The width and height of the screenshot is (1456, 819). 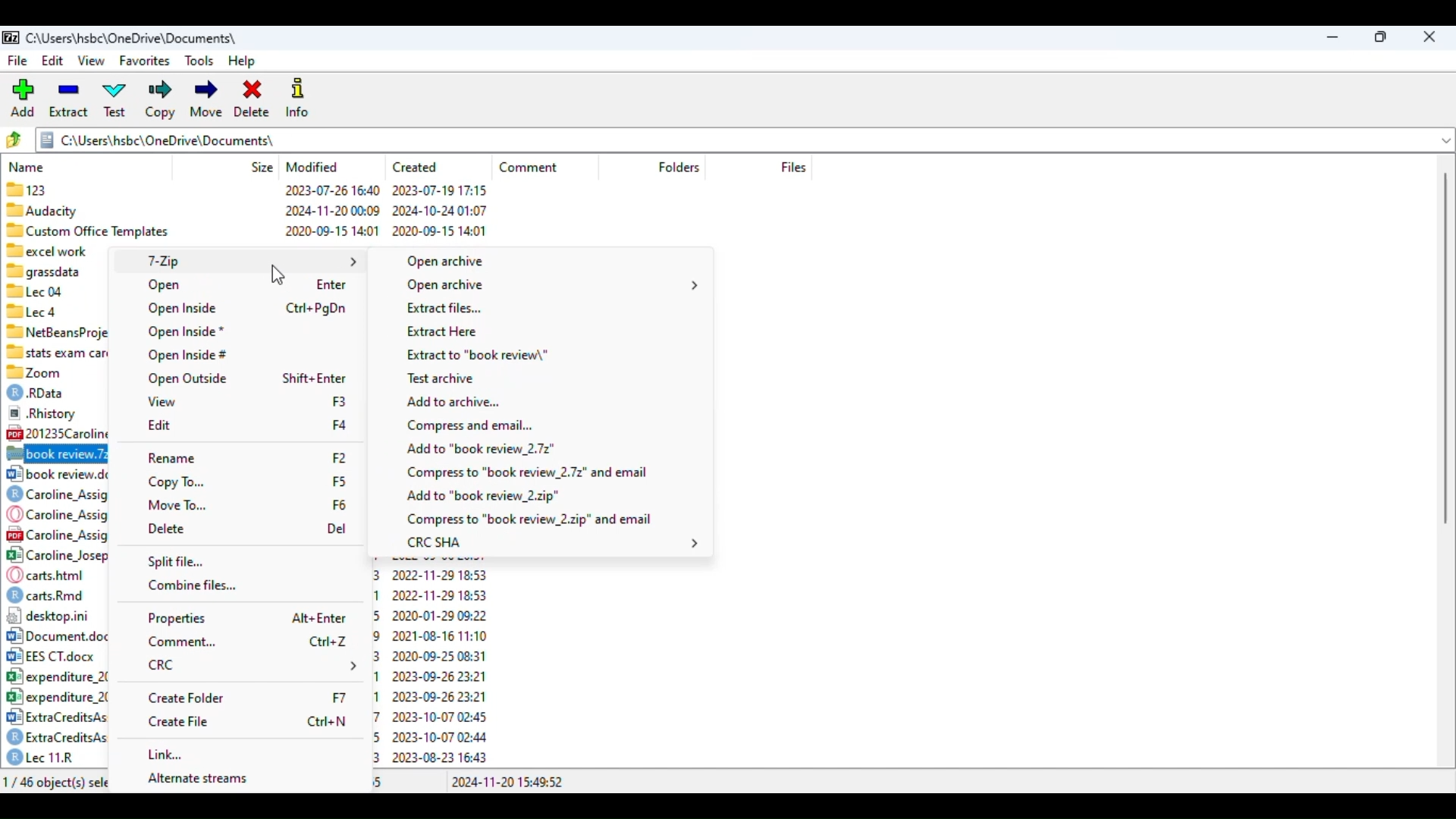 I want to click on shortcut for create folder, so click(x=338, y=698).